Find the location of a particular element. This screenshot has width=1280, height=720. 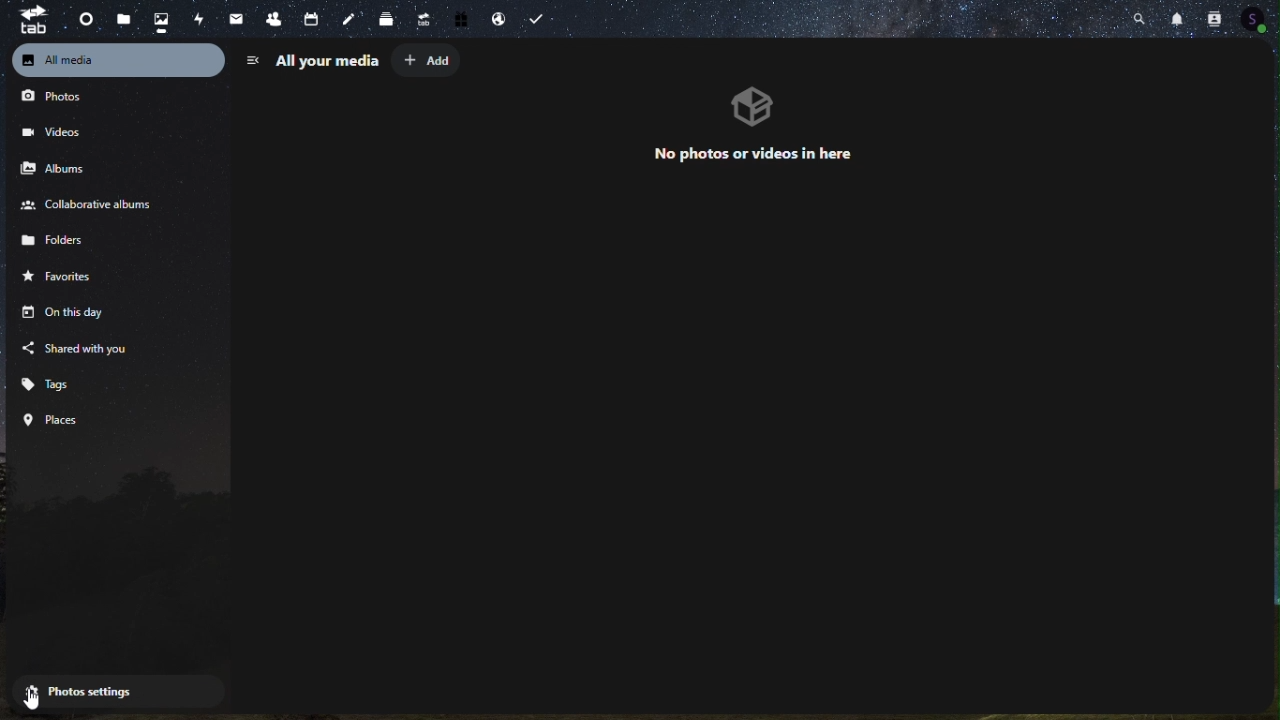

Photos is located at coordinates (61, 100).